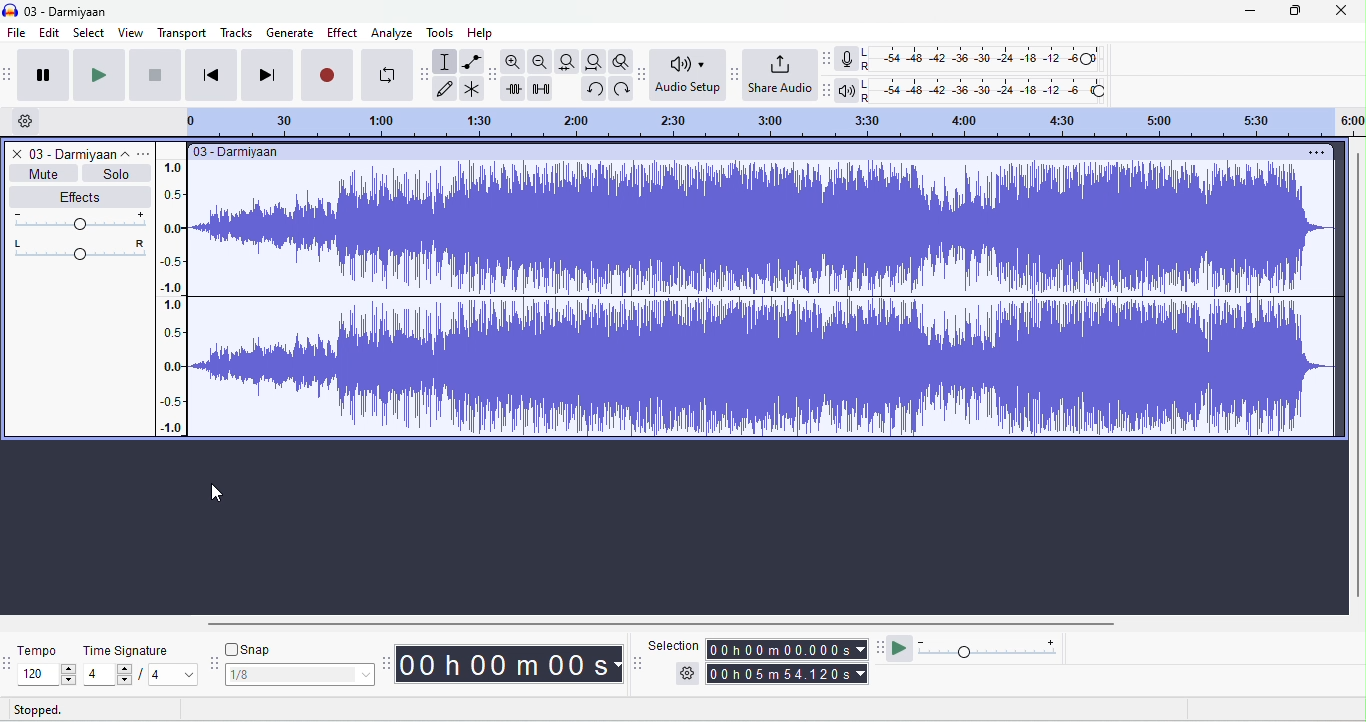 This screenshot has height=722, width=1366. I want to click on mute, so click(42, 173).